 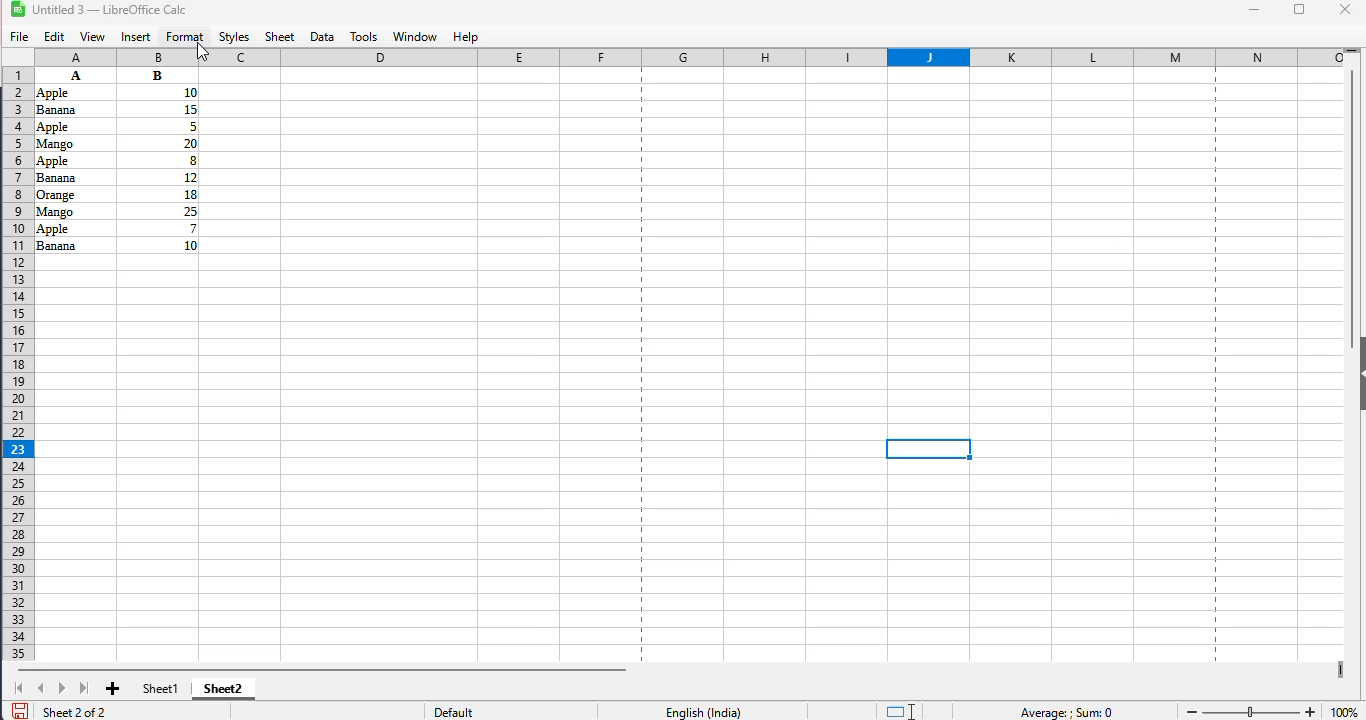 What do you see at coordinates (280, 37) in the screenshot?
I see `sheet` at bounding box center [280, 37].